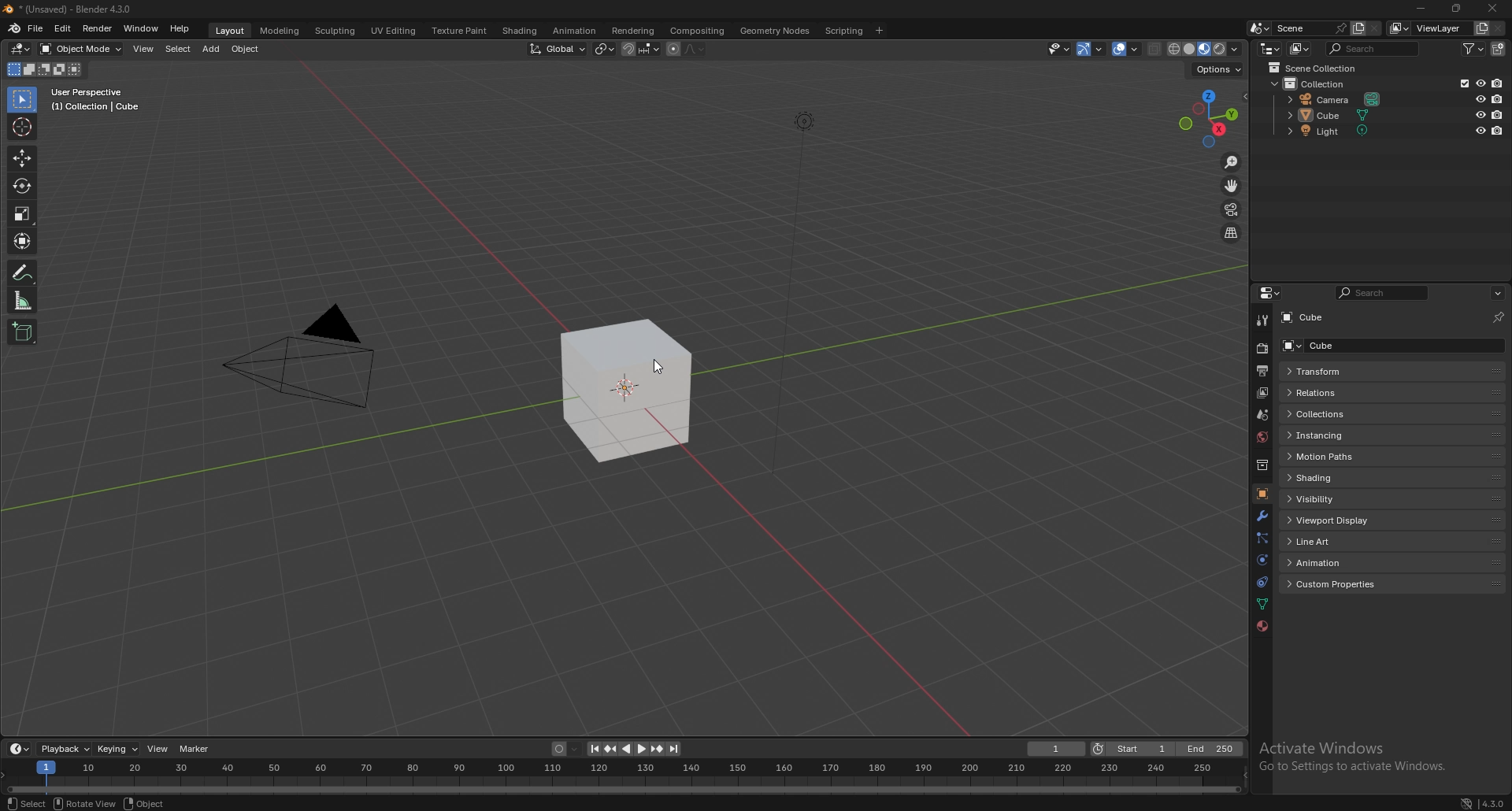  What do you see at coordinates (1336, 543) in the screenshot?
I see `line art` at bounding box center [1336, 543].